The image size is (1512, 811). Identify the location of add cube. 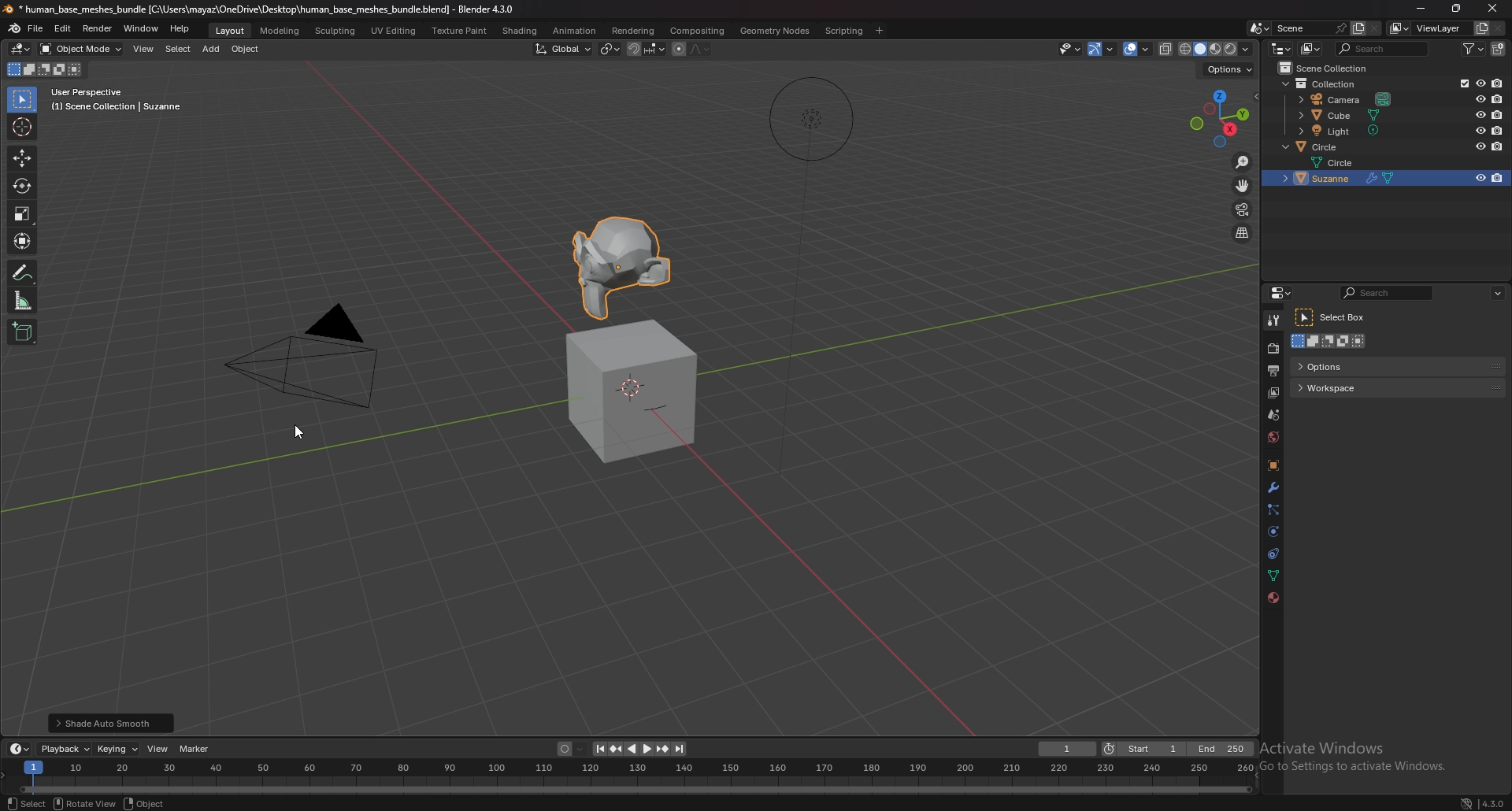
(24, 331).